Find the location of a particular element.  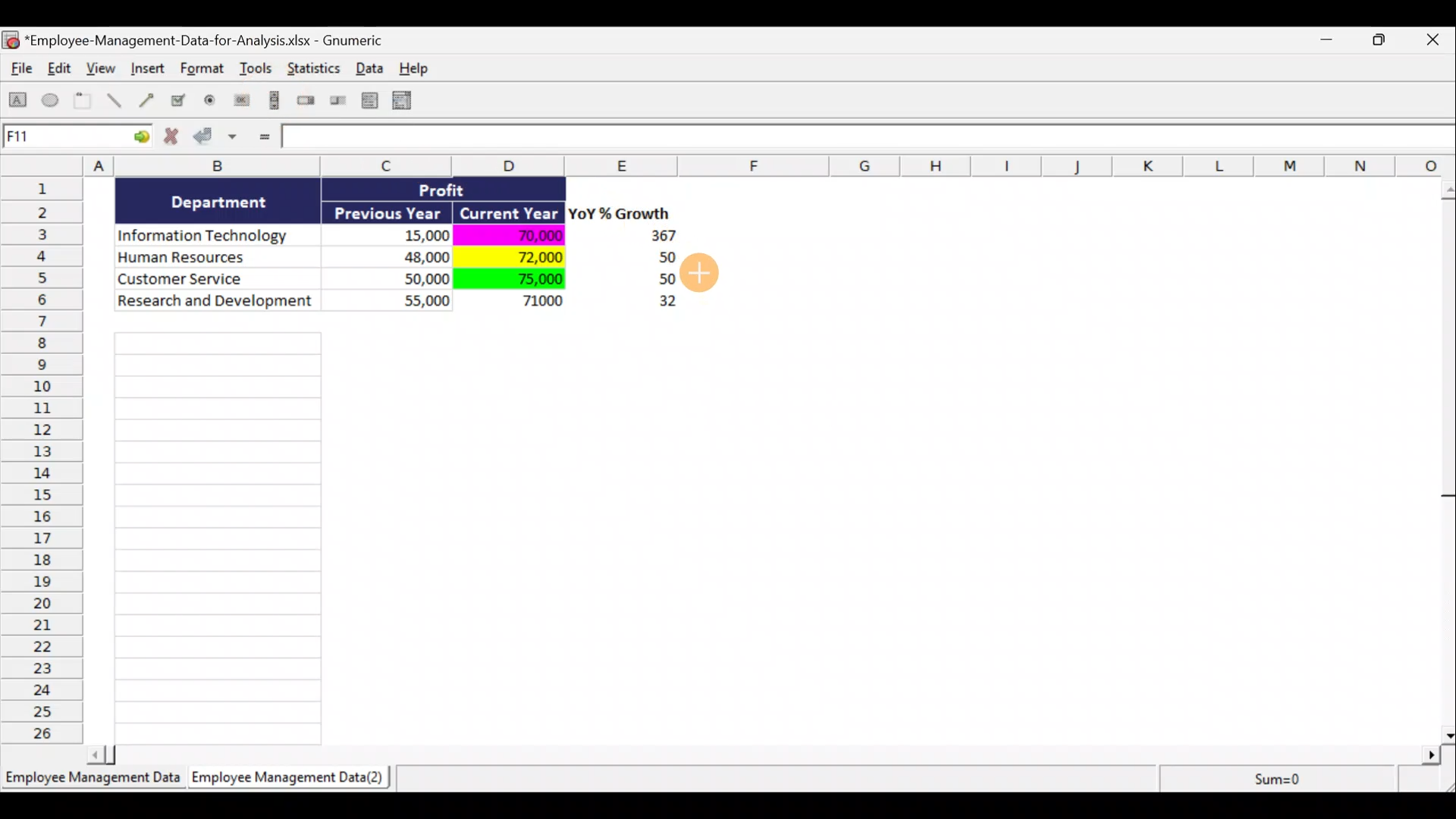

Insert is located at coordinates (147, 71).